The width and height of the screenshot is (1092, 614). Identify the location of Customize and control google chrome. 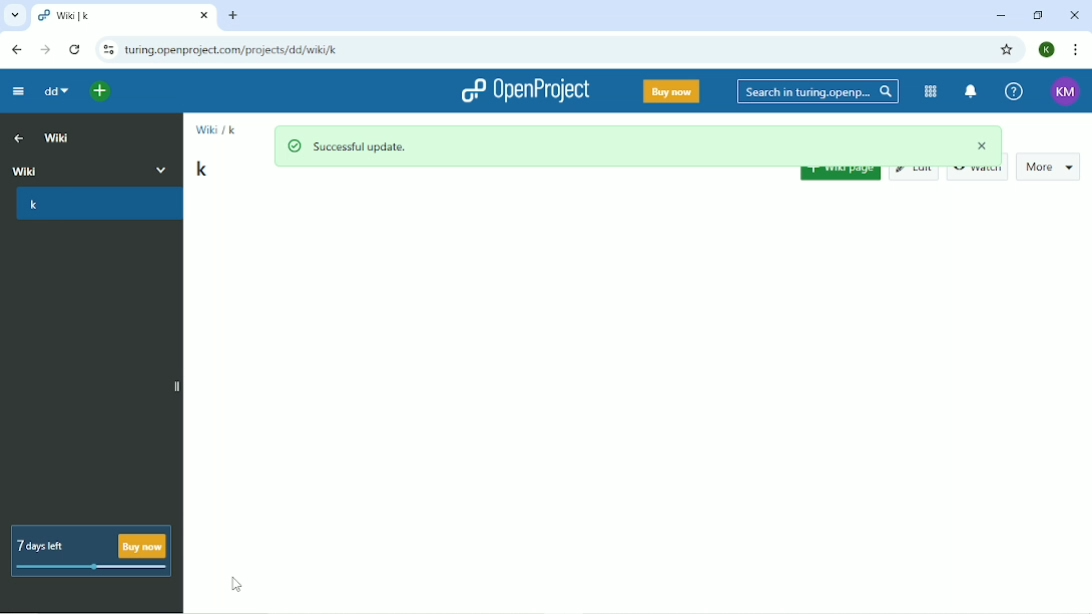
(1074, 49).